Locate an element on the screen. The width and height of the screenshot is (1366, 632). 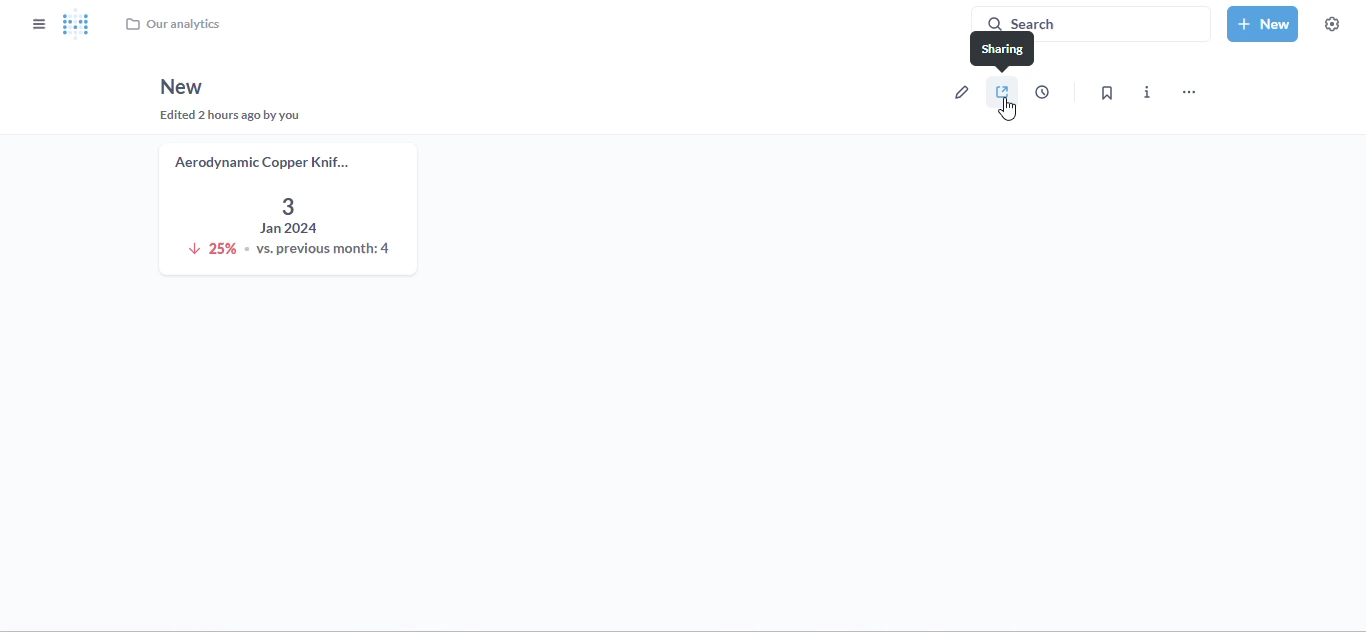
bookmark is located at coordinates (1106, 92).